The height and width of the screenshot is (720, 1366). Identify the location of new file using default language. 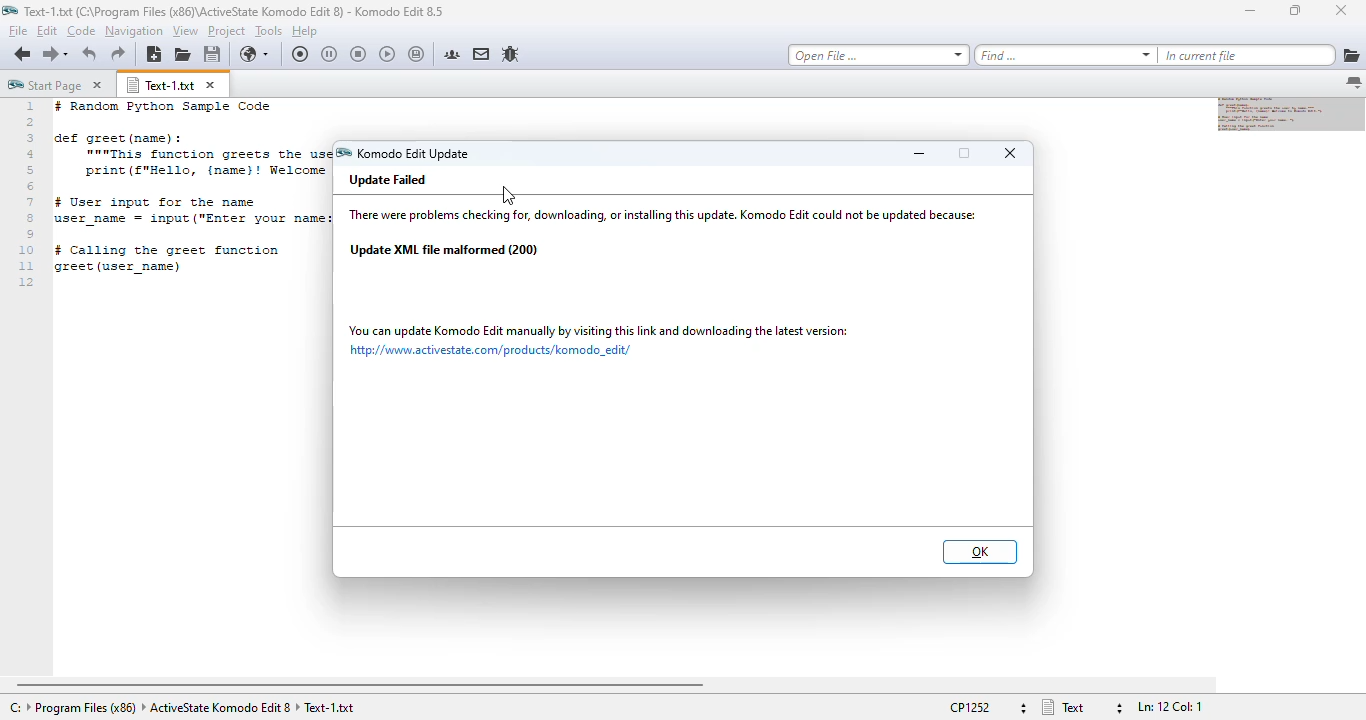
(155, 55).